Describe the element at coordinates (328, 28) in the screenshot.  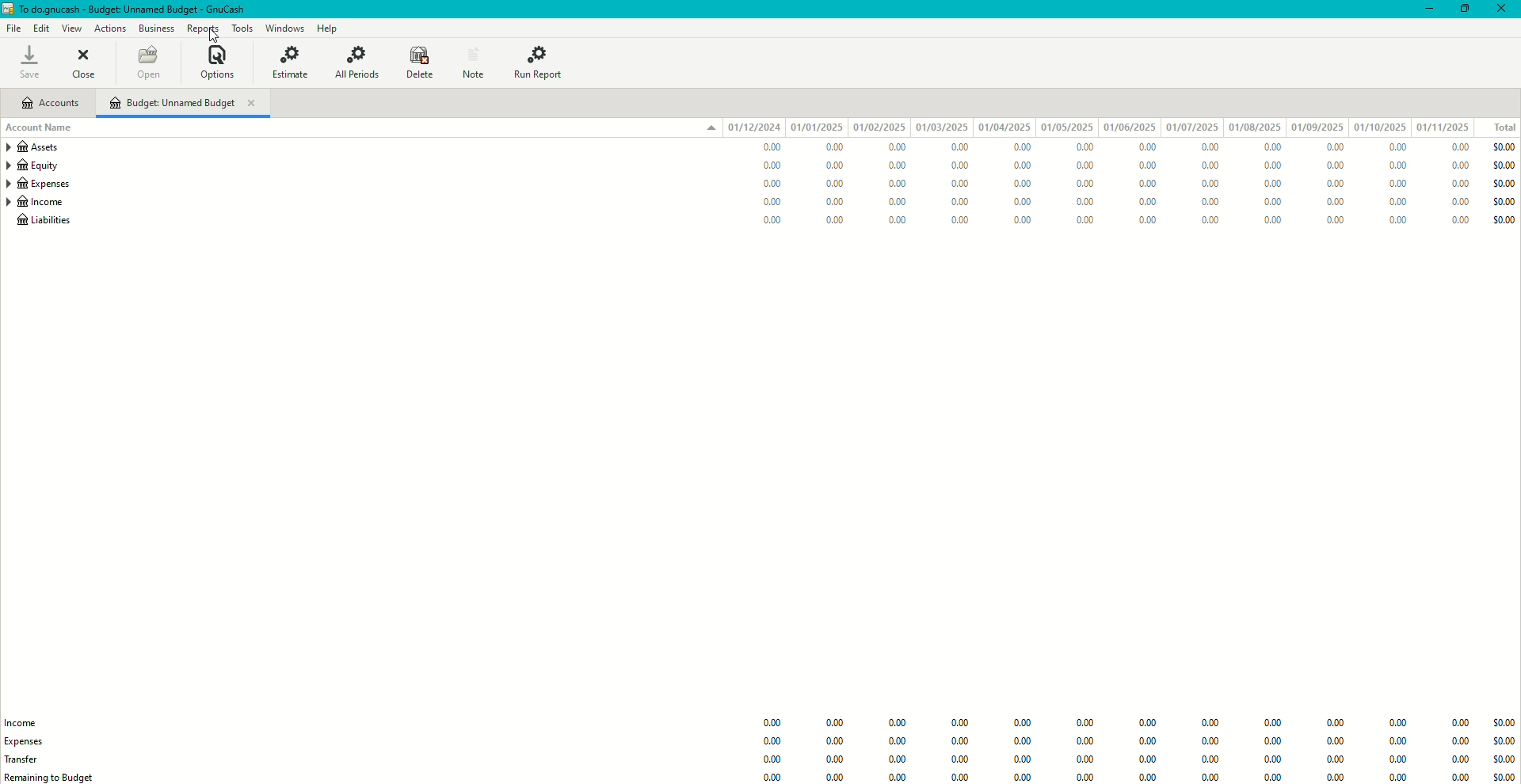
I see `Help` at that location.